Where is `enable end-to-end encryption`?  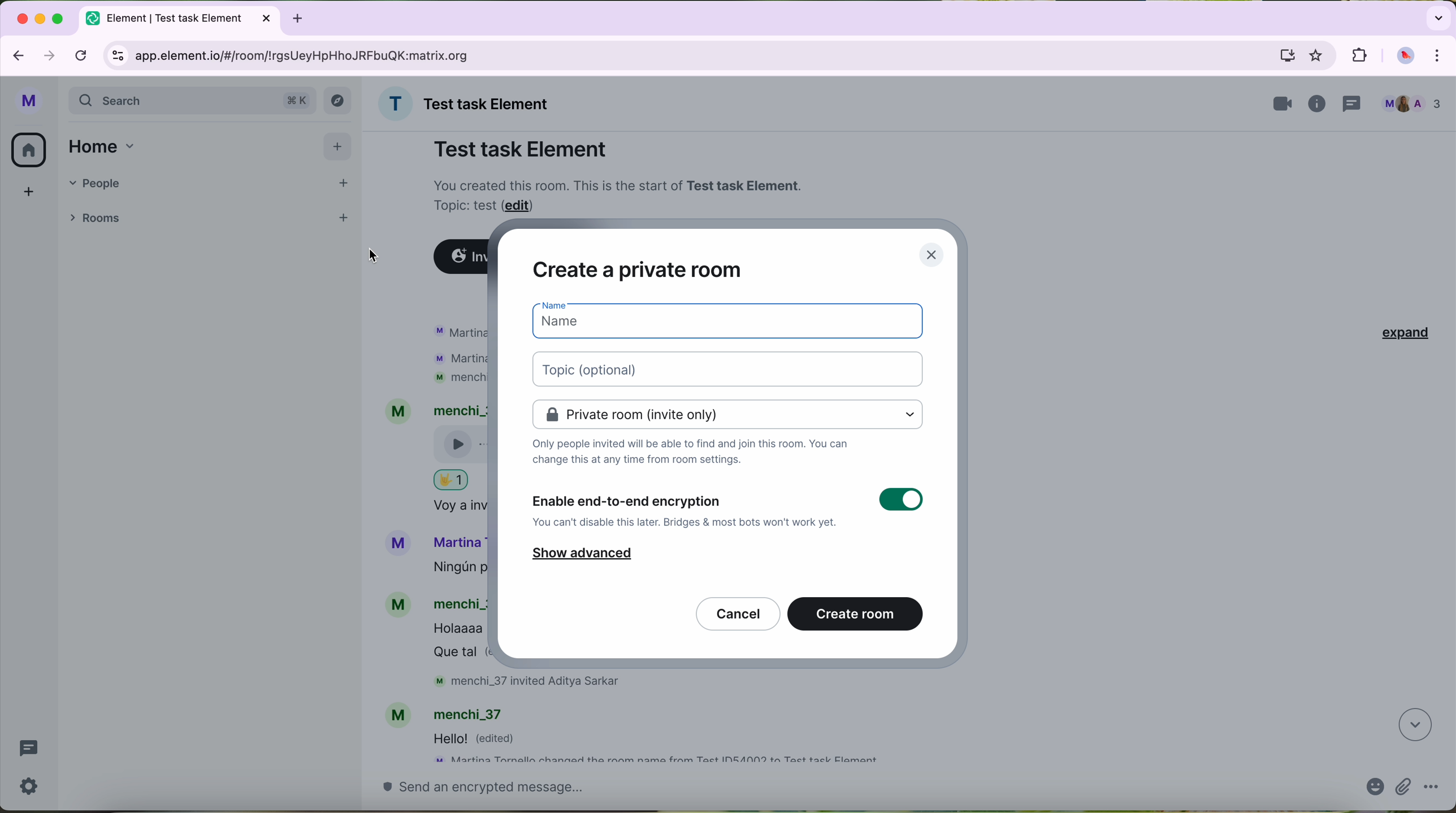
enable end-to-end encryption is located at coordinates (686, 510).